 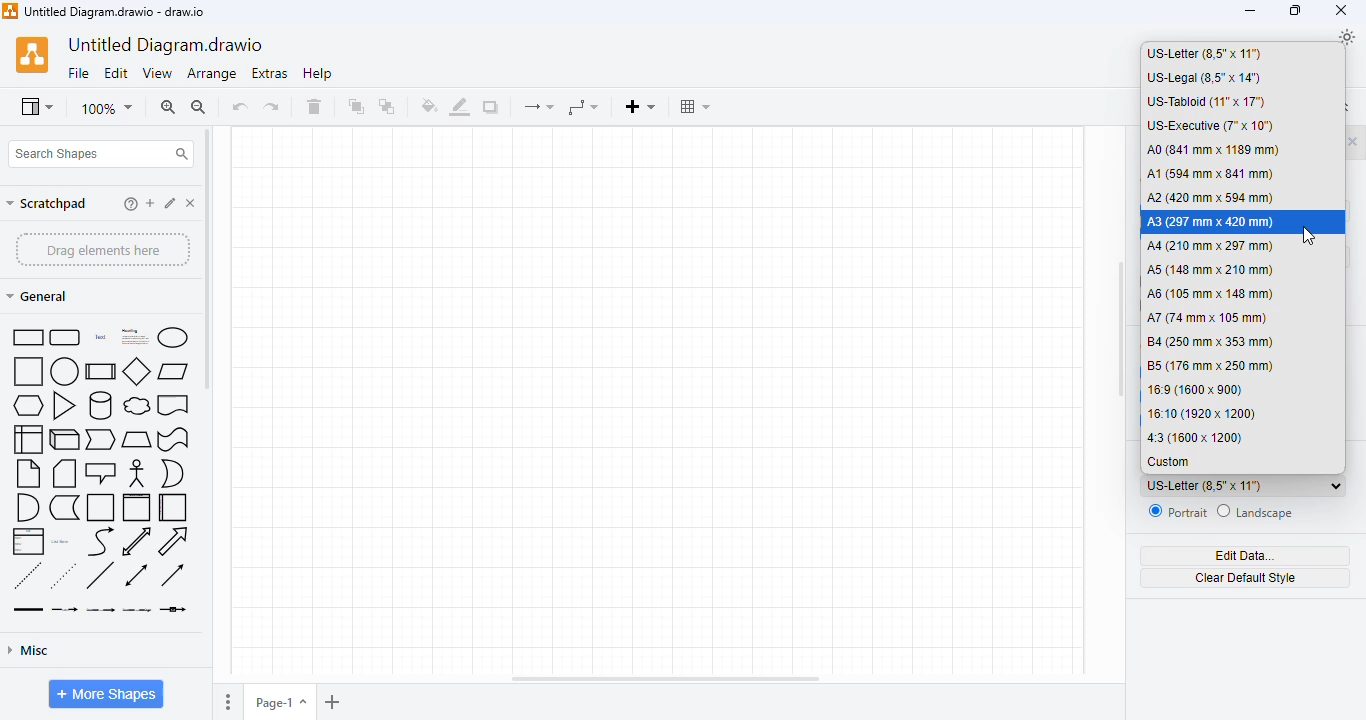 I want to click on fill color, so click(x=429, y=105).